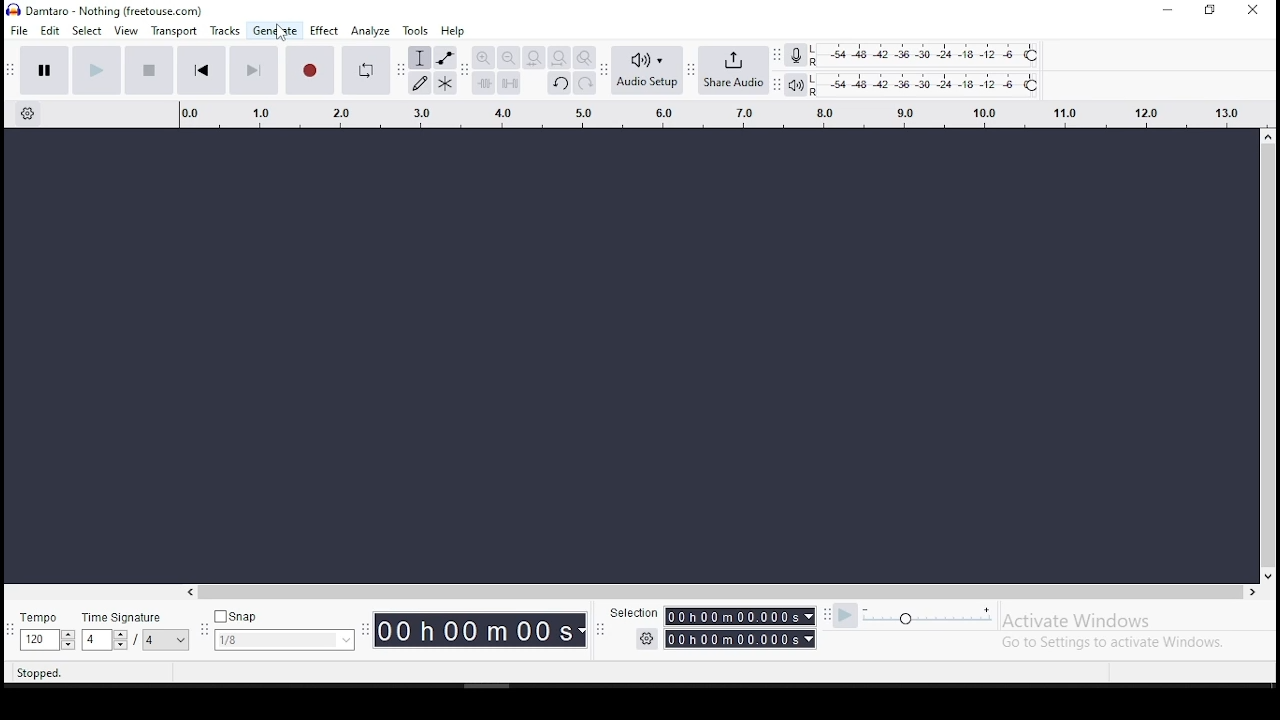  Describe the element at coordinates (484, 57) in the screenshot. I see `zoom in` at that location.